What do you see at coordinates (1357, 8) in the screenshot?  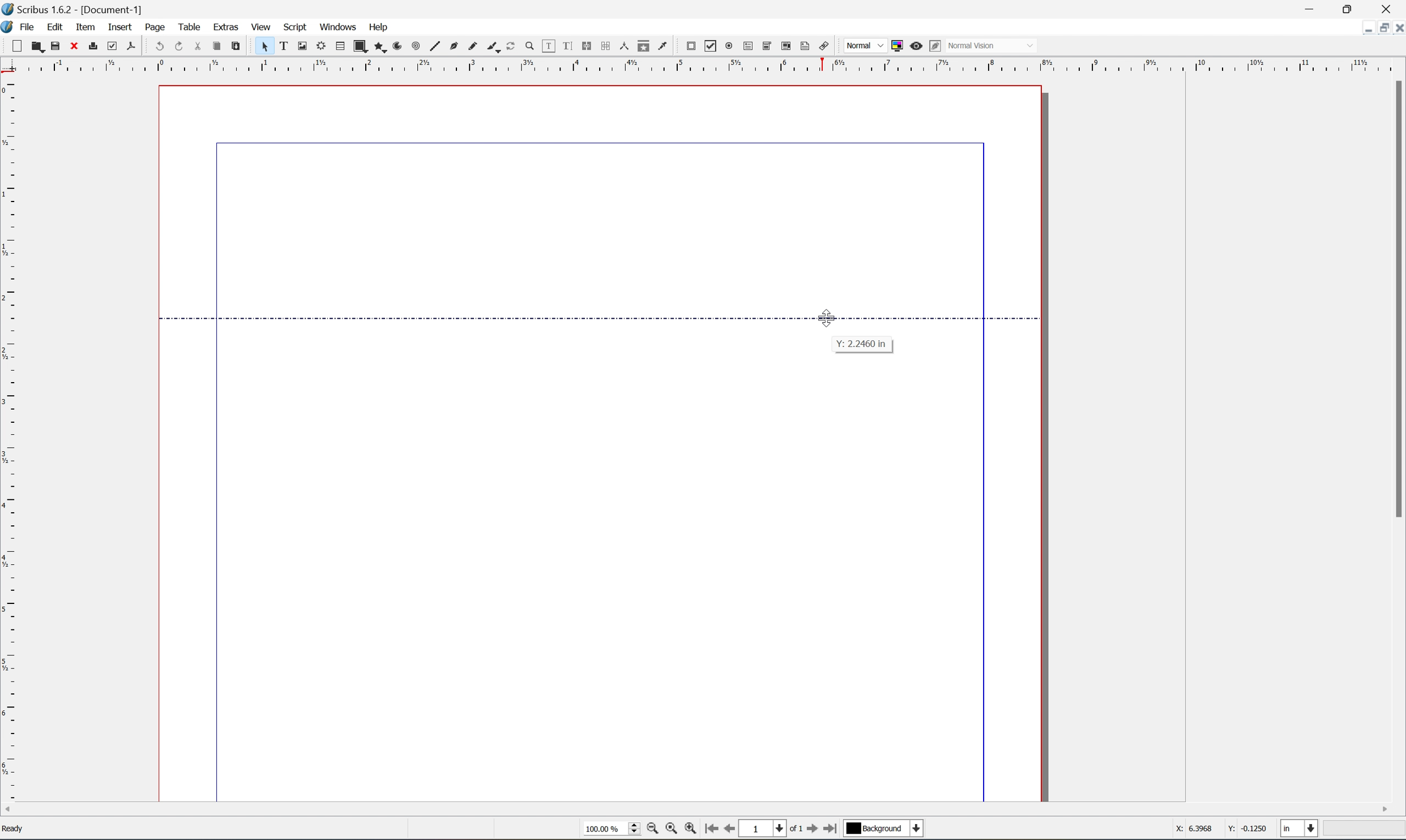 I see `restore down` at bounding box center [1357, 8].